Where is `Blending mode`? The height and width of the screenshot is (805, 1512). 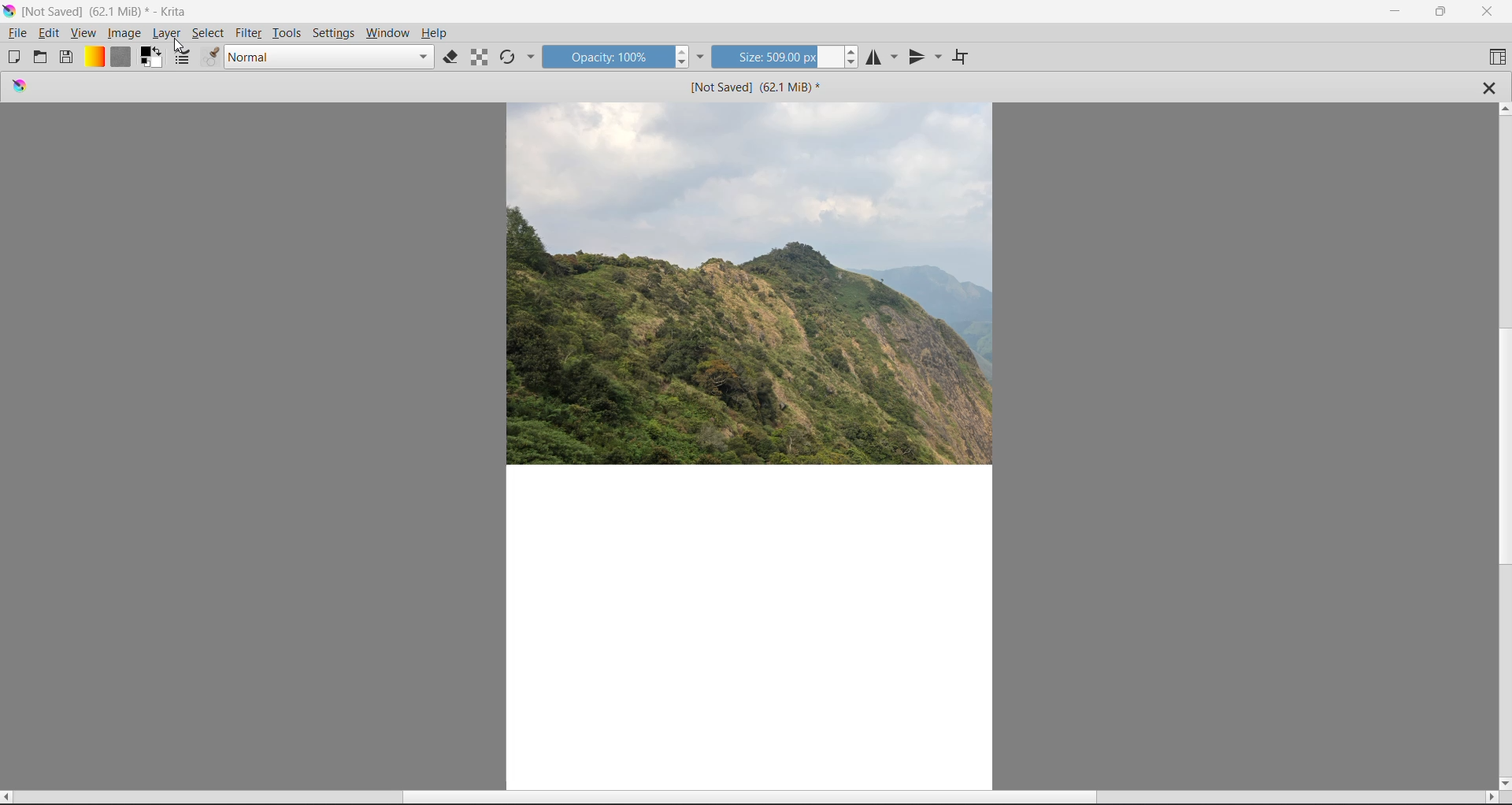 Blending mode is located at coordinates (328, 57).